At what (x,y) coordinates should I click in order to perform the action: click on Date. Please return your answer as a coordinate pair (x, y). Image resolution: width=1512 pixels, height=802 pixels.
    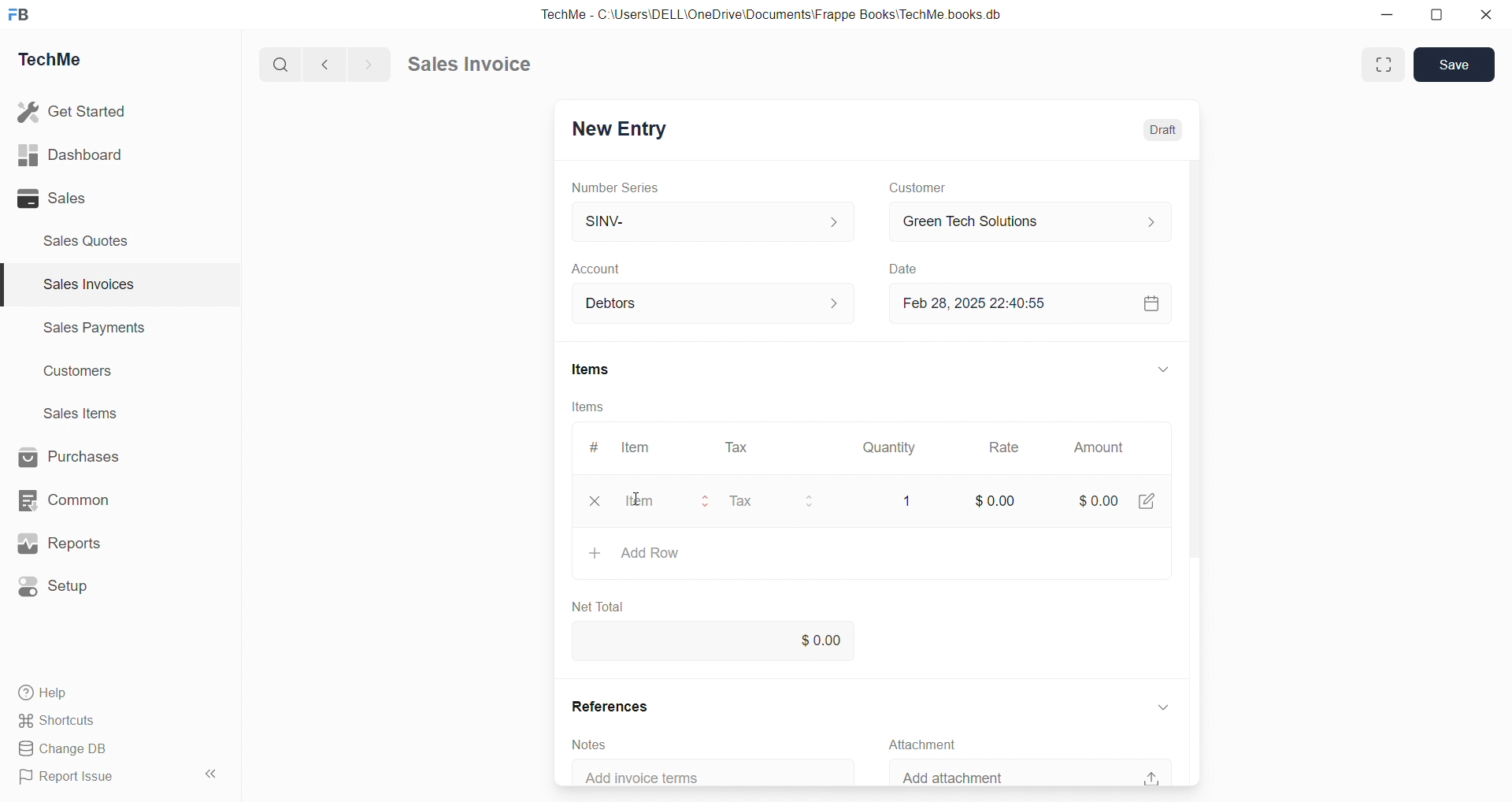
    Looking at the image, I should click on (902, 268).